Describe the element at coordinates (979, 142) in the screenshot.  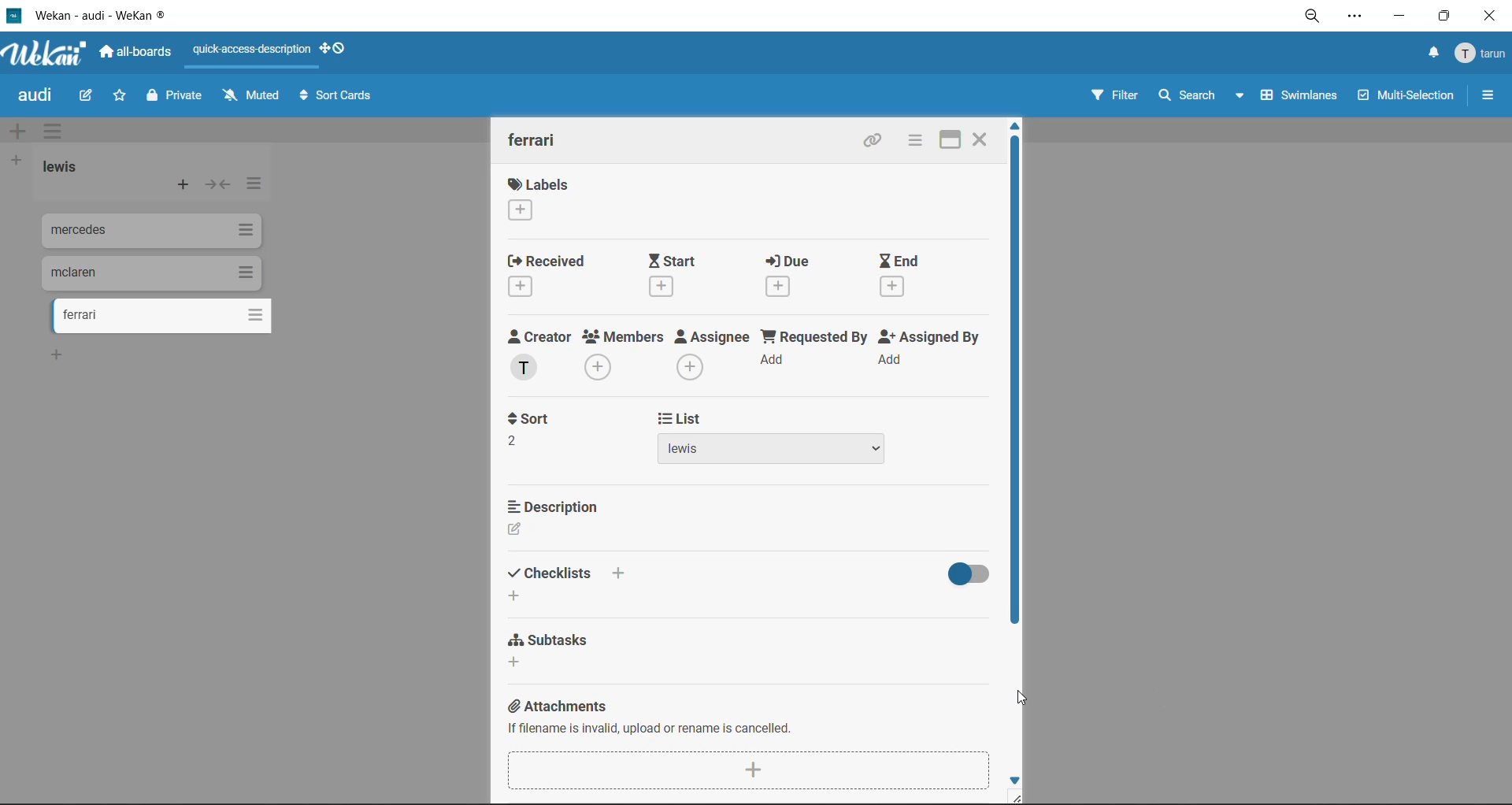
I see `close` at that location.